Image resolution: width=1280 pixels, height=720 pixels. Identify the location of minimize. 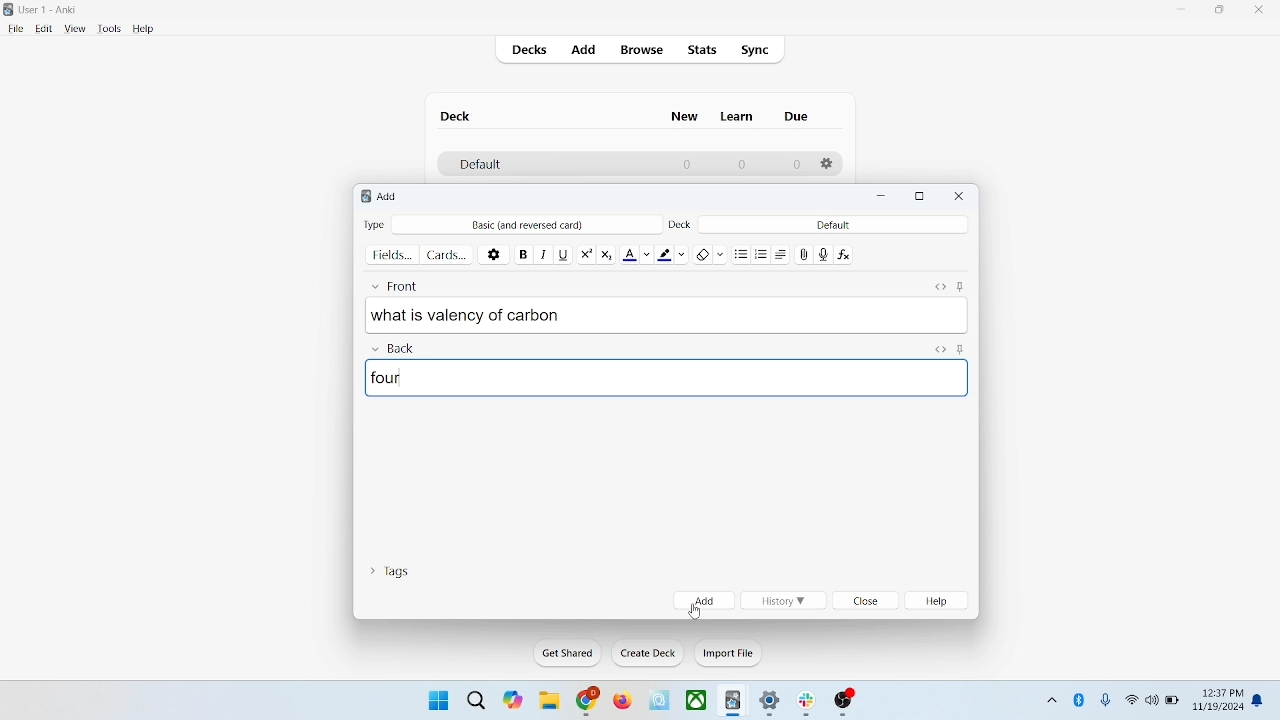
(884, 197).